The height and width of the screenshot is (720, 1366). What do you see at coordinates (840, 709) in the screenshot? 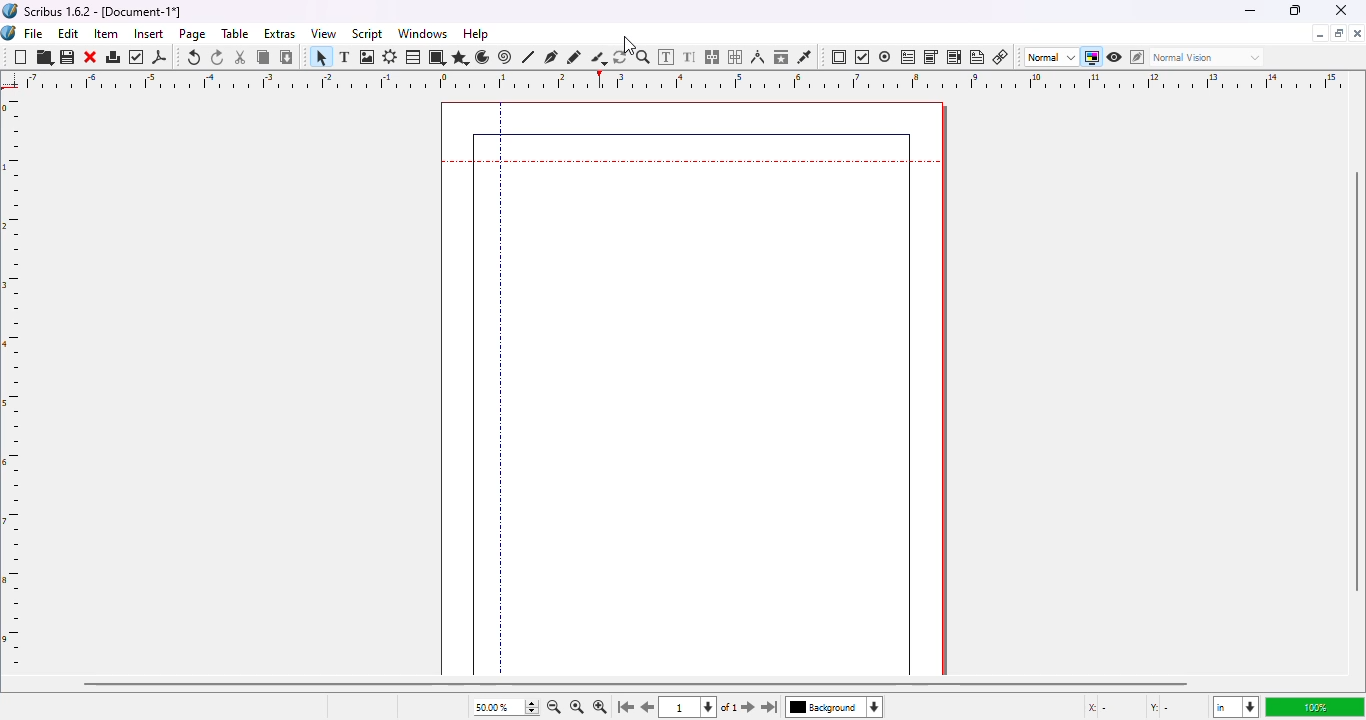
I see `background` at bounding box center [840, 709].